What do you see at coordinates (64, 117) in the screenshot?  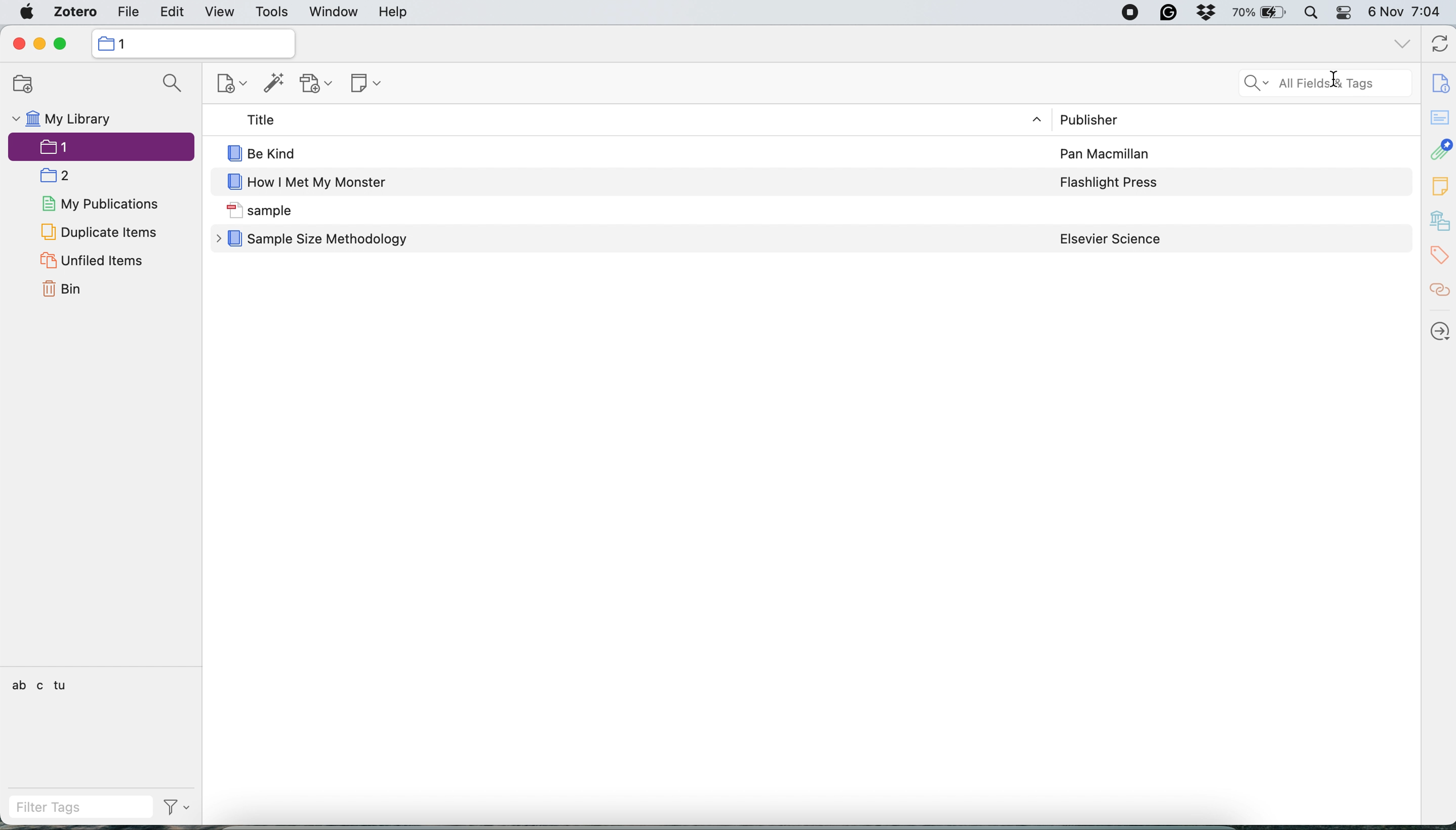 I see `my library` at bounding box center [64, 117].